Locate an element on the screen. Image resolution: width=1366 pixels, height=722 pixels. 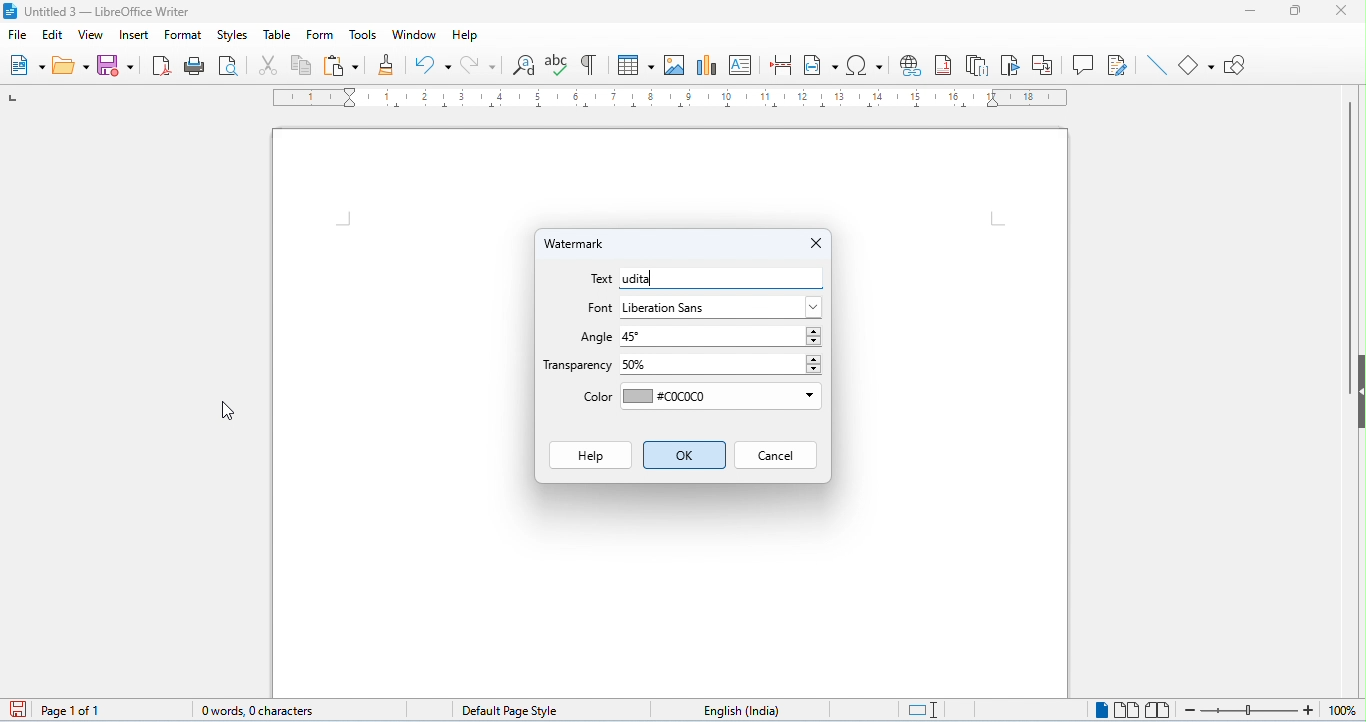
water mark is located at coordinates (583, 245).